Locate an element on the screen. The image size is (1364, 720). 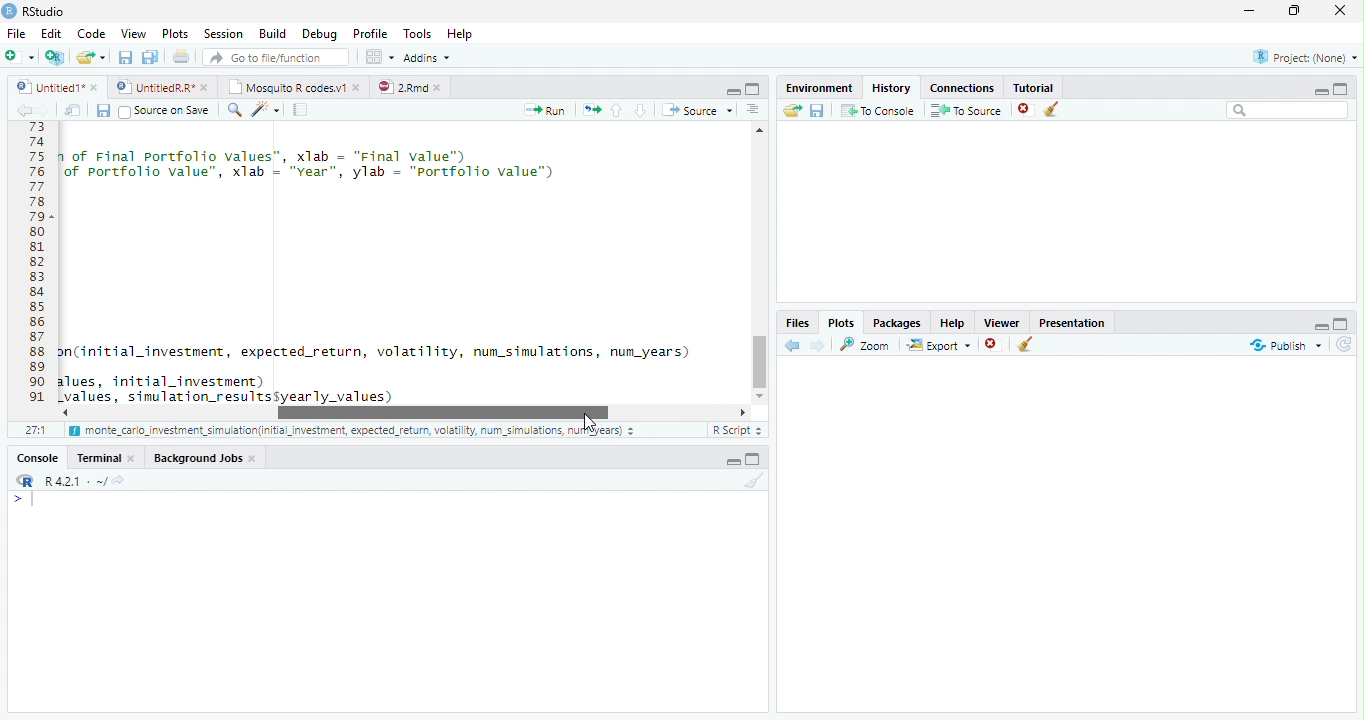
1:1 is located at coordinates (34, 430).